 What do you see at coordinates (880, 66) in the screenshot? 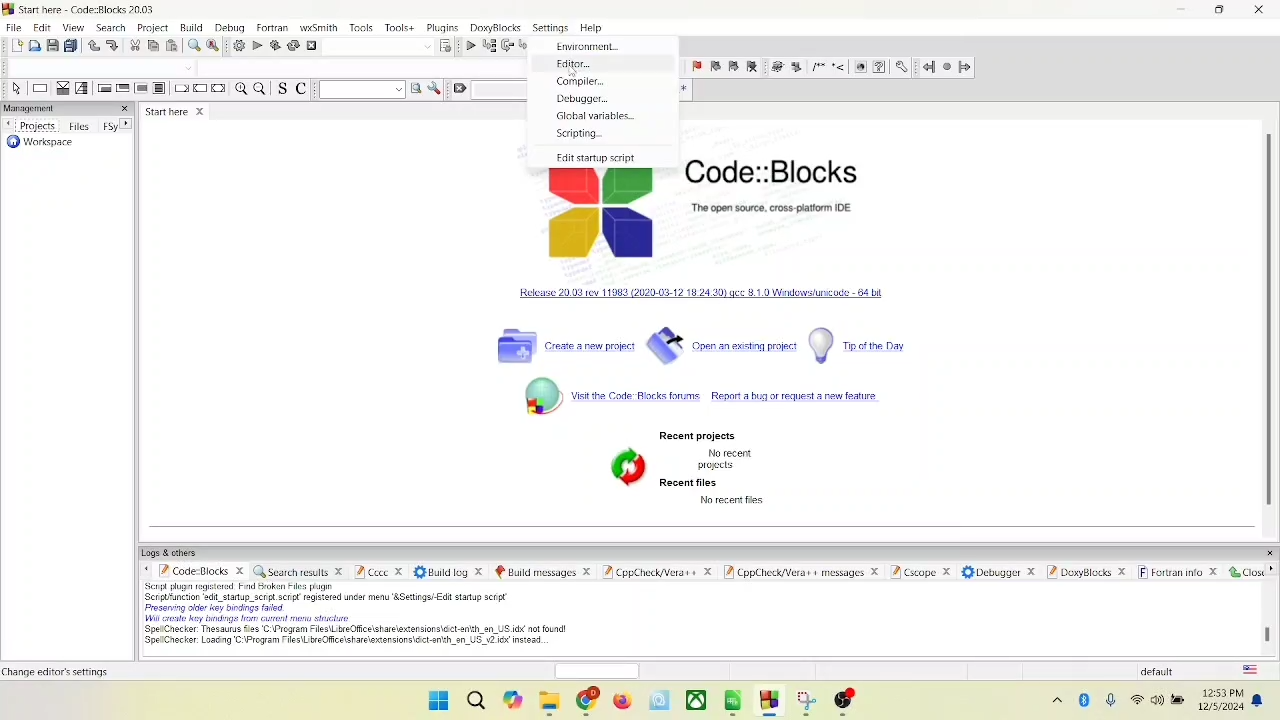
I see `help` at bounding box center [880, 66].